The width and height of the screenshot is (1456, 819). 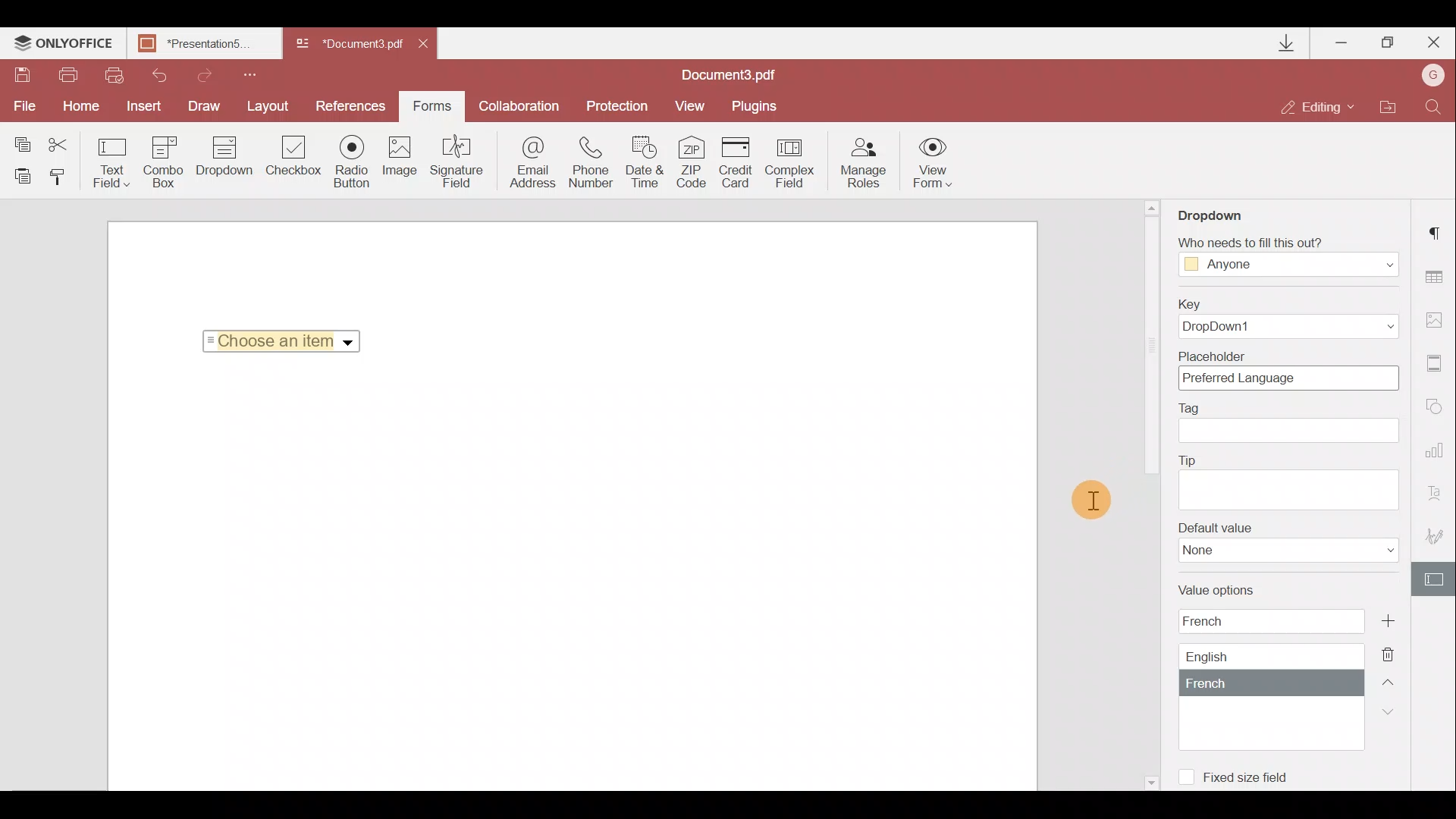 I want to click on Cursor, so click(x=1090, y=504).